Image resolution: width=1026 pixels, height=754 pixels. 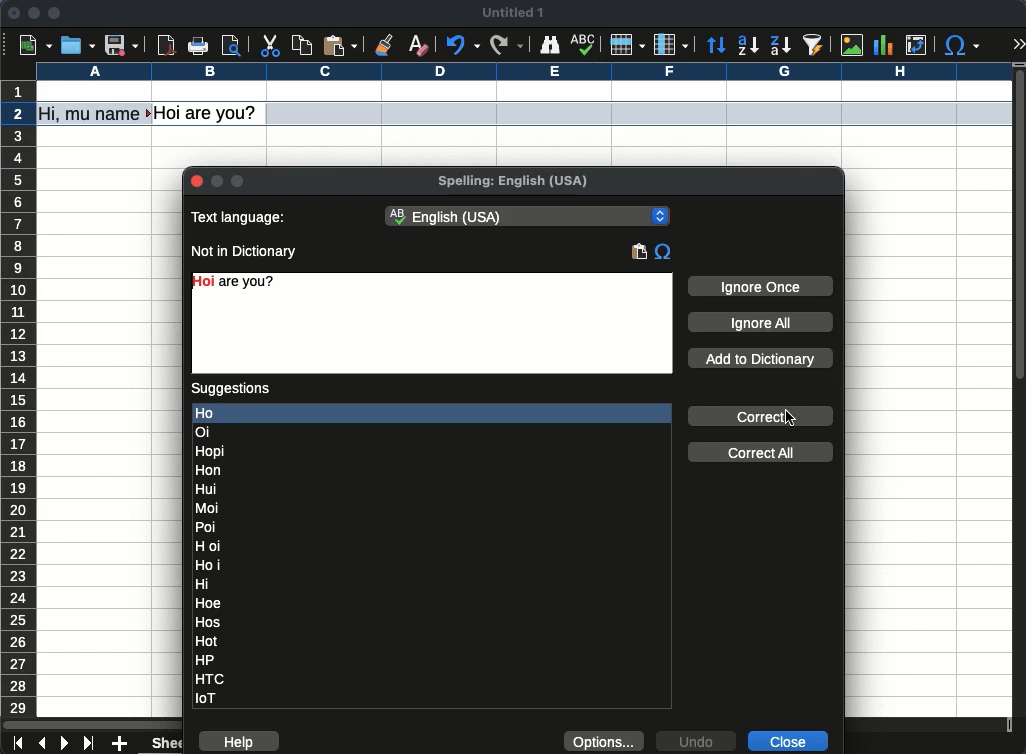 I want to click on ascending, so click(x=748, y=45).